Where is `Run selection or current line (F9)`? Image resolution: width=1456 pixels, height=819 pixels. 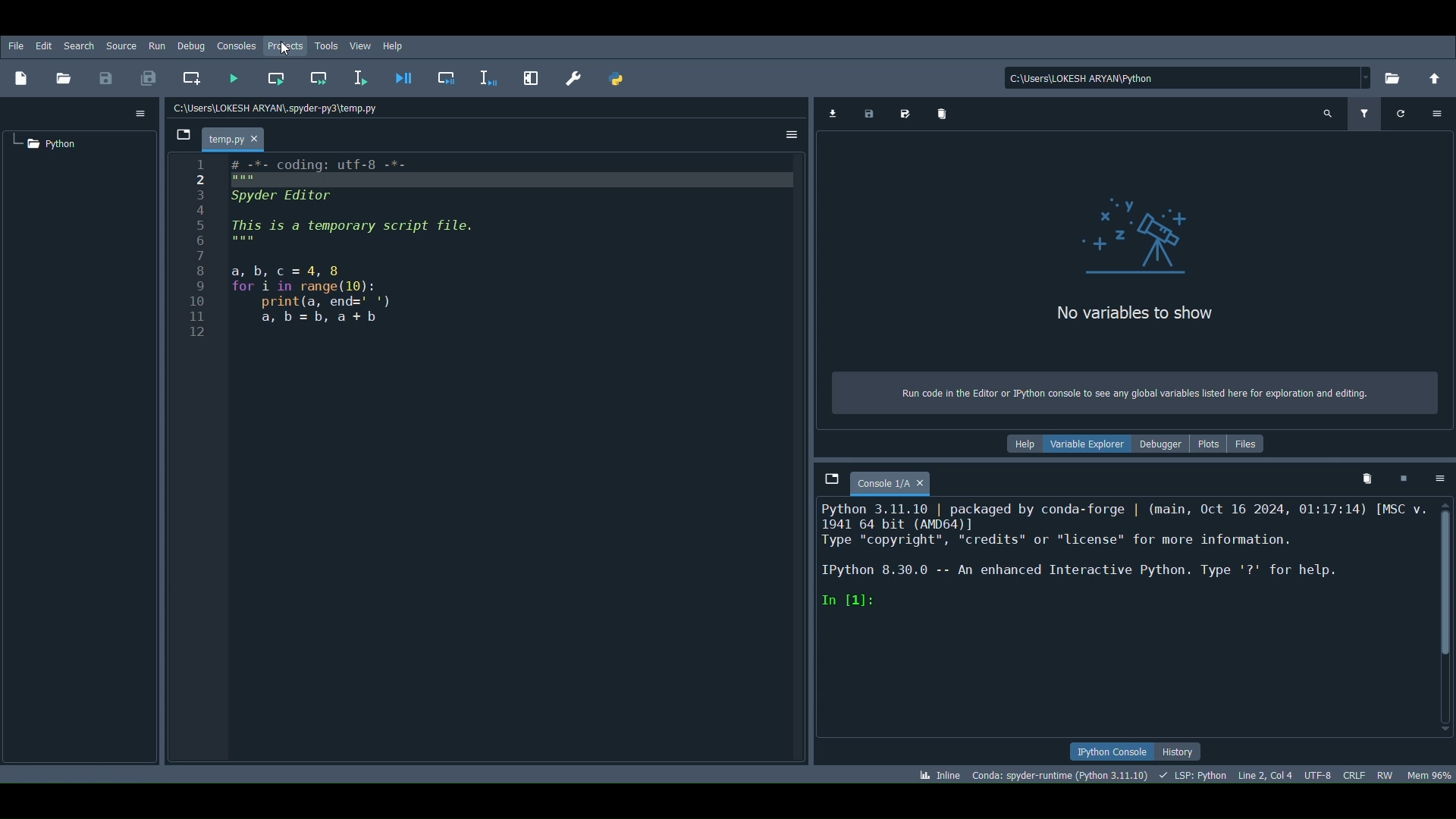 Run selection or current line (F9) is located at coordinates (358, 80).